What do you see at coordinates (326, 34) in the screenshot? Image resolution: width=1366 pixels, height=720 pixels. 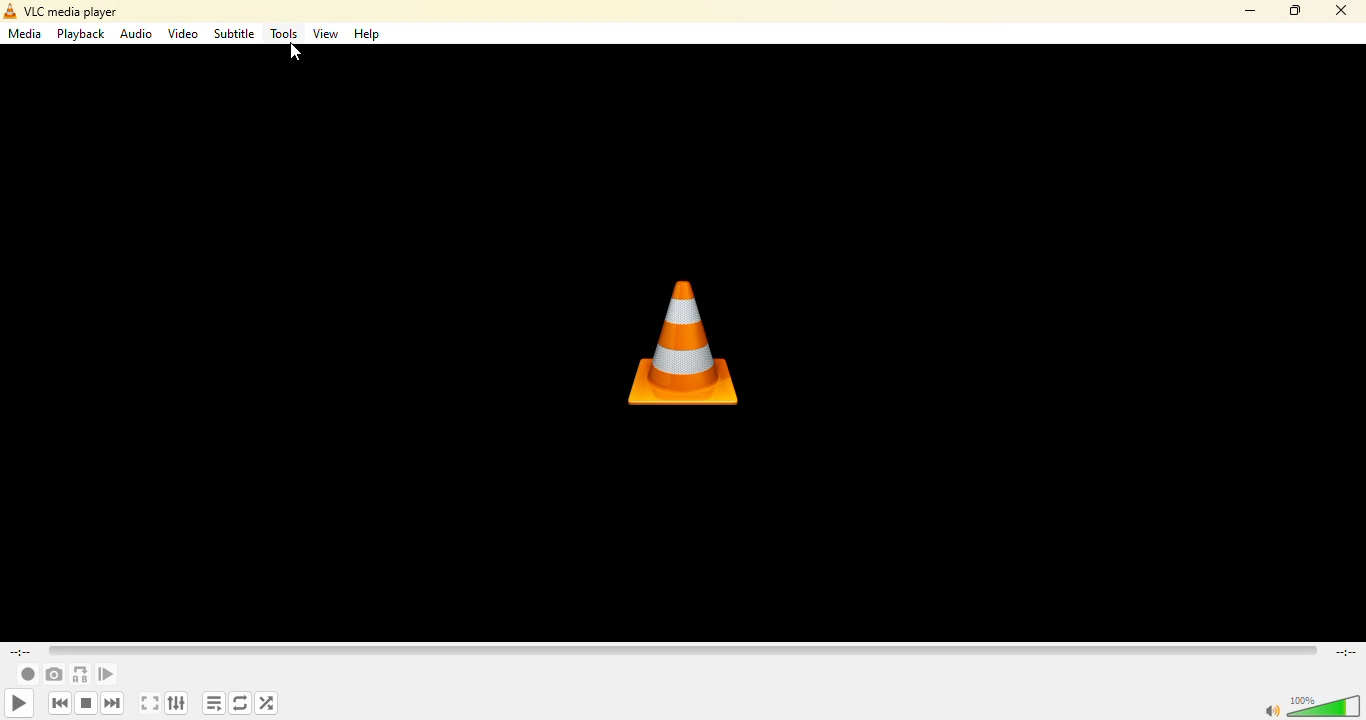 I see `view` at bounding box center [326, 34].